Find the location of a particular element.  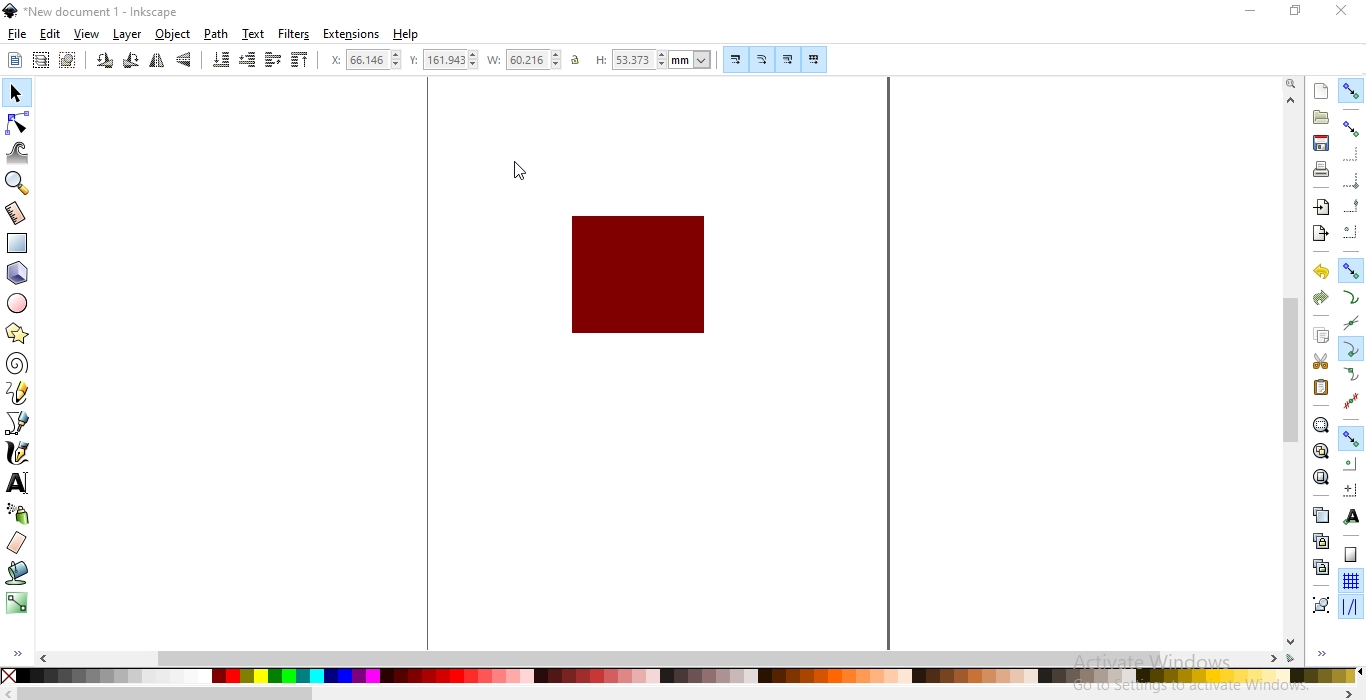

object is located at coordinates (174, 35).